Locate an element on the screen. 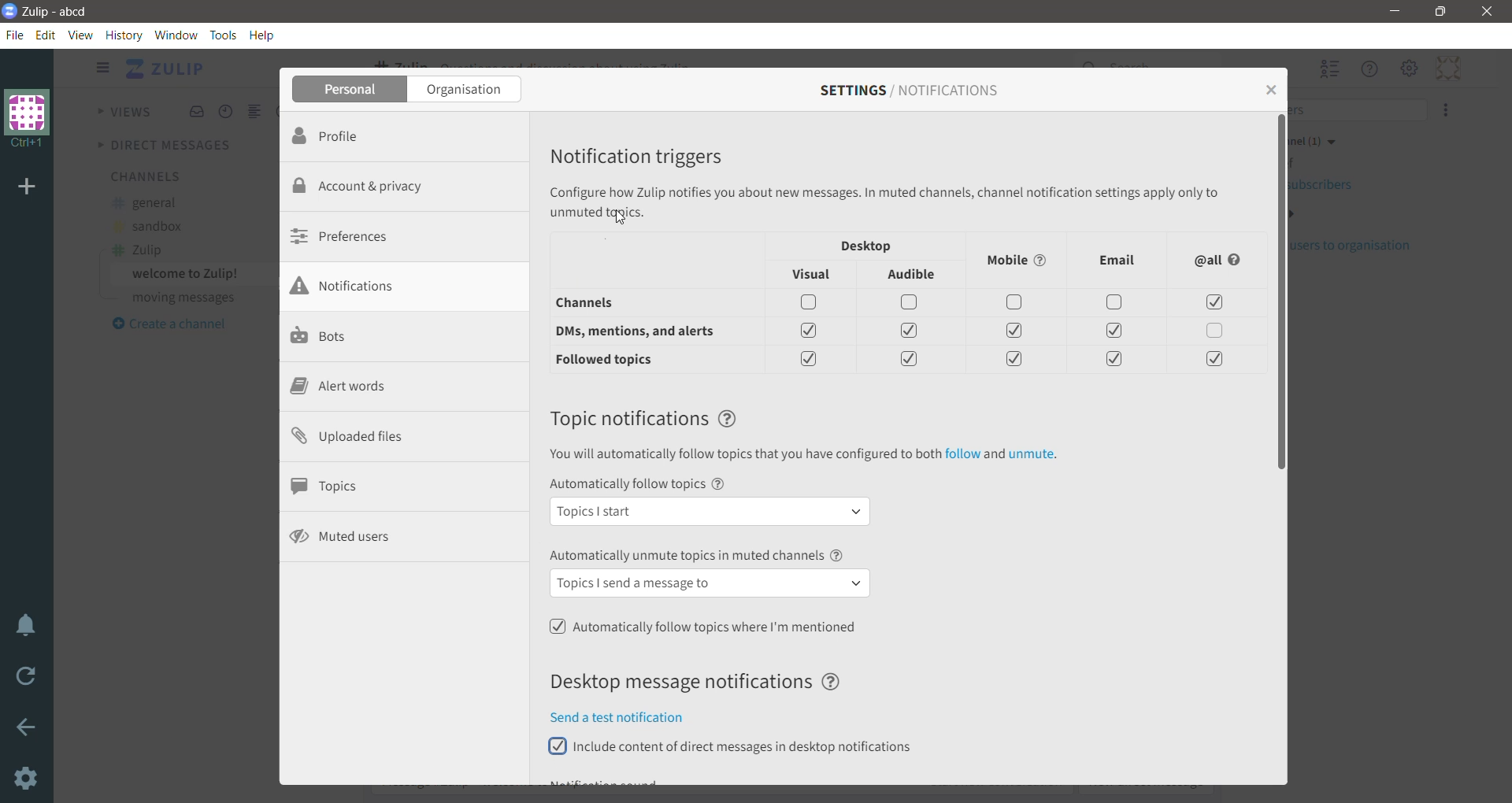  Settings is located at coordinates (28, 779).